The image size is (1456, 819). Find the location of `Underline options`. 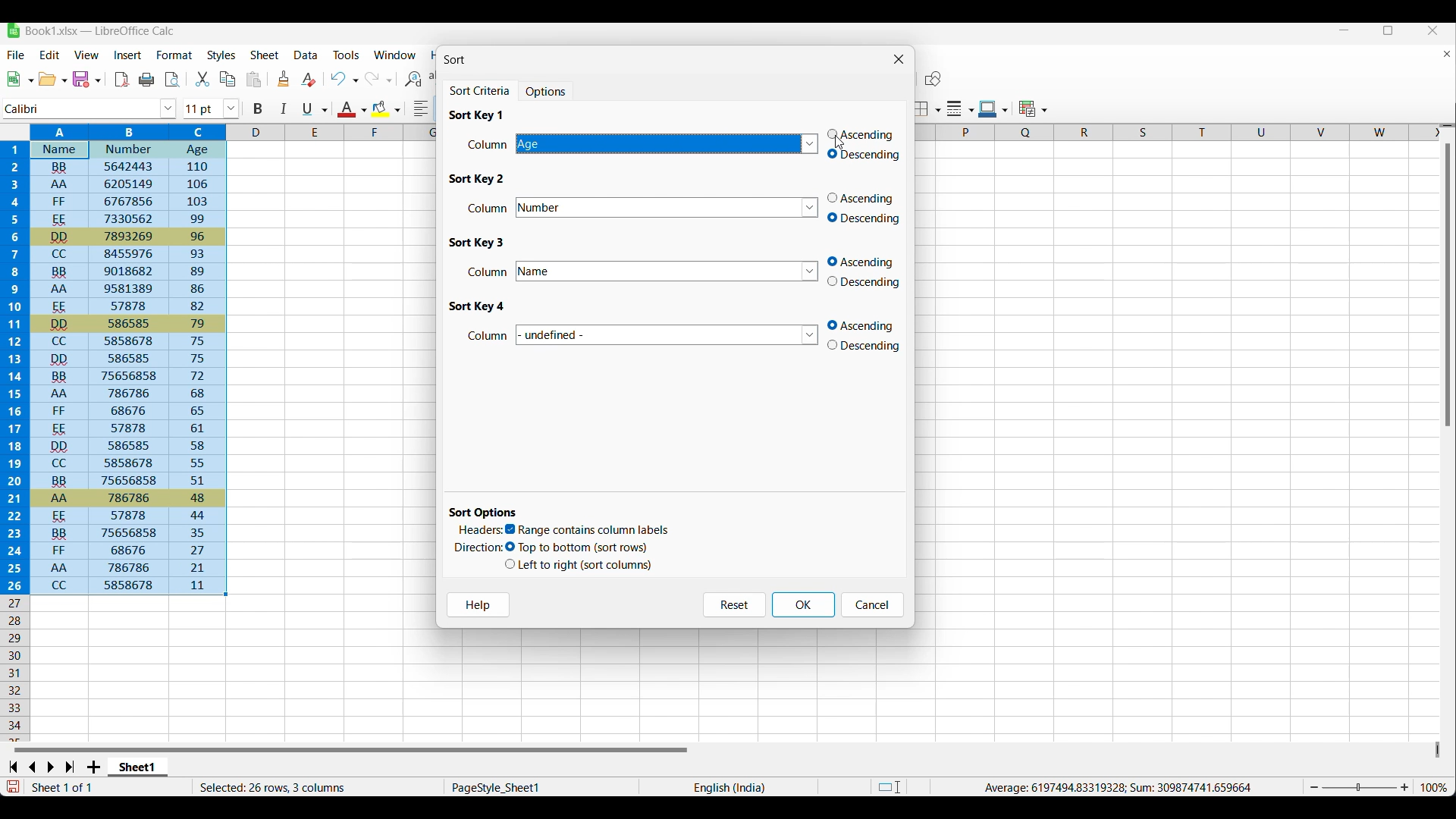

Underline options is located at coordinates (315, 109).